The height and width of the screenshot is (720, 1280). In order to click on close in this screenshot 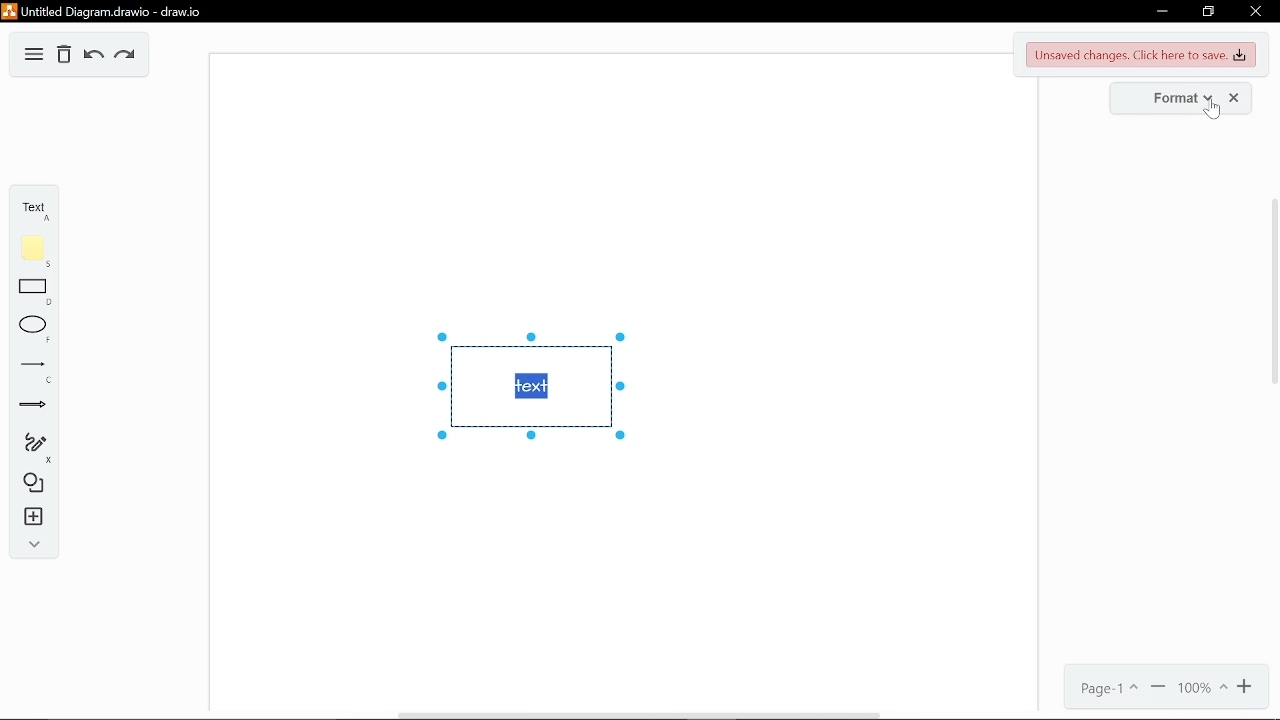, I will do `click(1254, 13)`.